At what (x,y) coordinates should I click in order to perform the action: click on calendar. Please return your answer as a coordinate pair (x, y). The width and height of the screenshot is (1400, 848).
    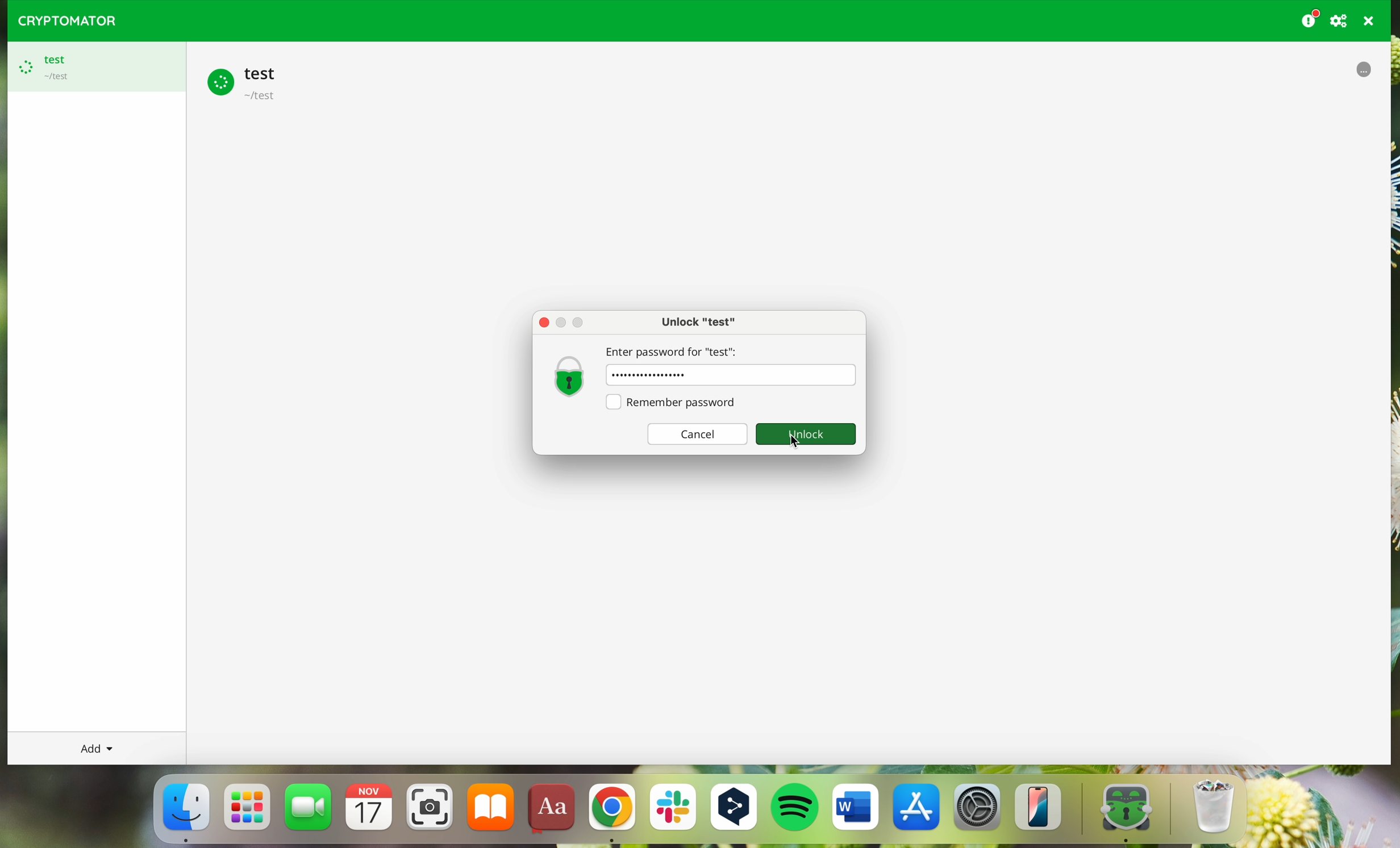
    Looking at the image, I should click on (371, 812).